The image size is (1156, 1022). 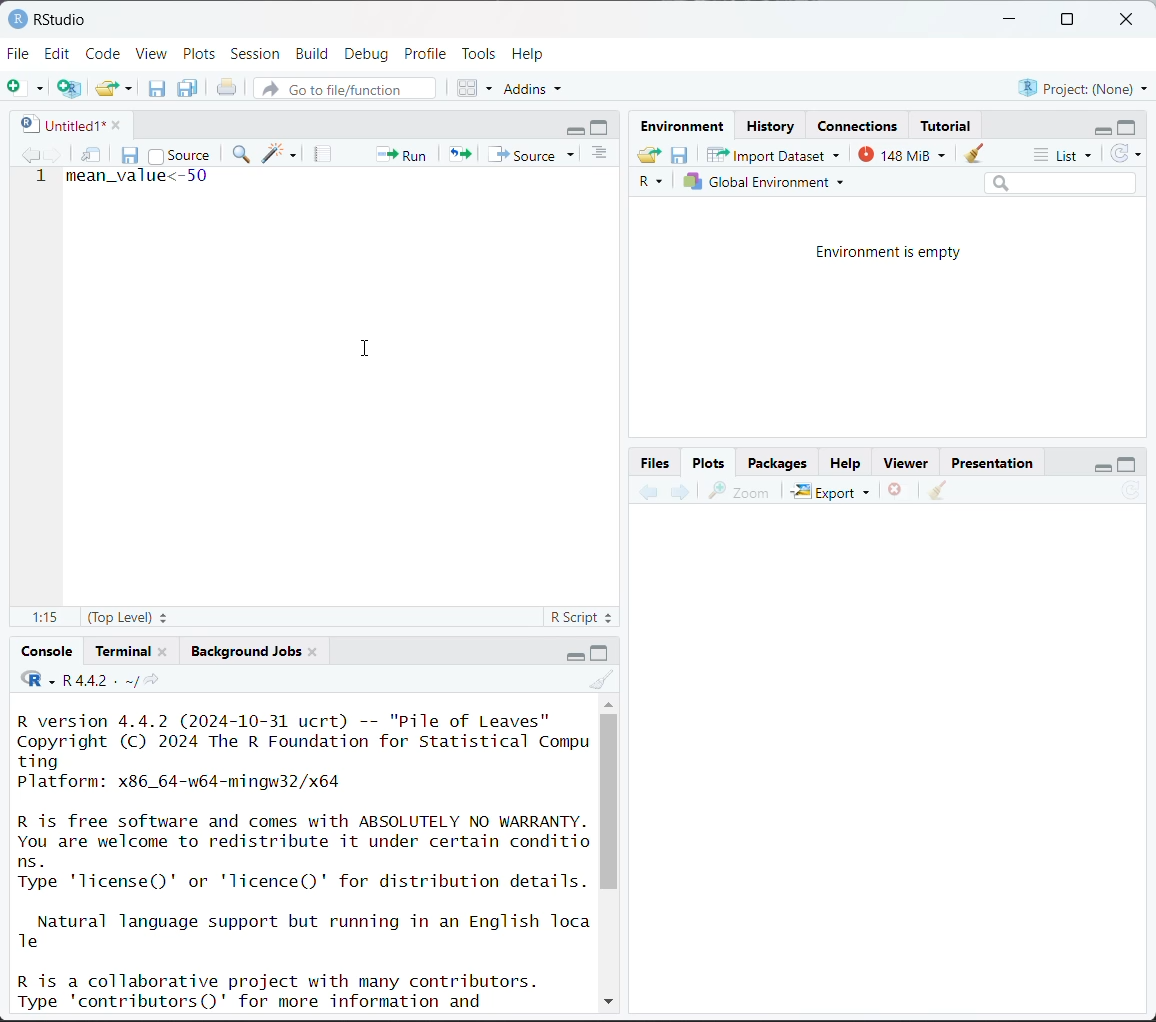 What do you see at coordinates (42, 178) in the screenshot?
I see `1` at bounding box center [42, 178].